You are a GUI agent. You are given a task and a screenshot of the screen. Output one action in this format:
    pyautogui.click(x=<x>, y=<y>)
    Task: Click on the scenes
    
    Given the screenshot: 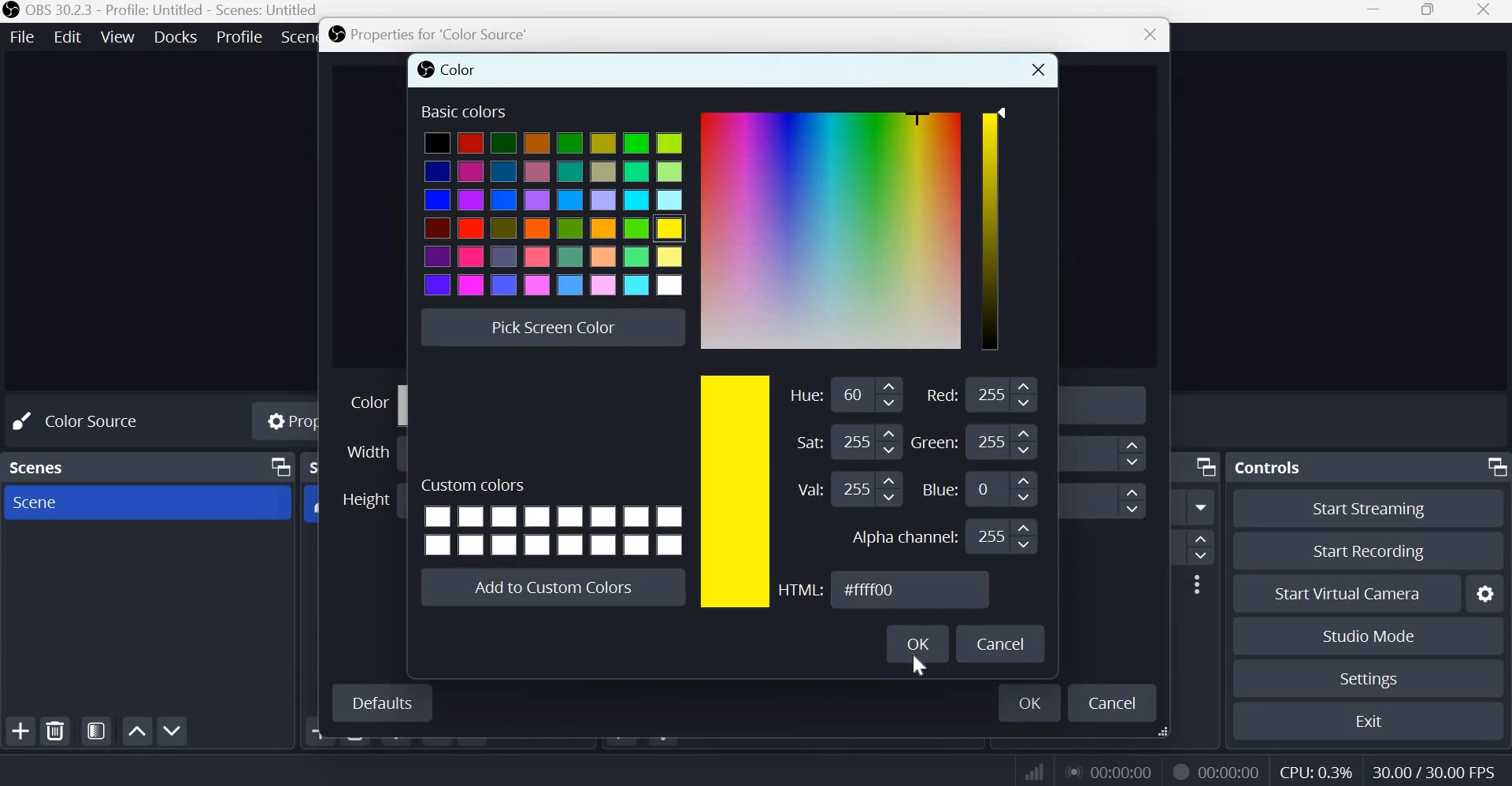 What is the action you would take?
    pyautogui.click(x=40, y=465)
    